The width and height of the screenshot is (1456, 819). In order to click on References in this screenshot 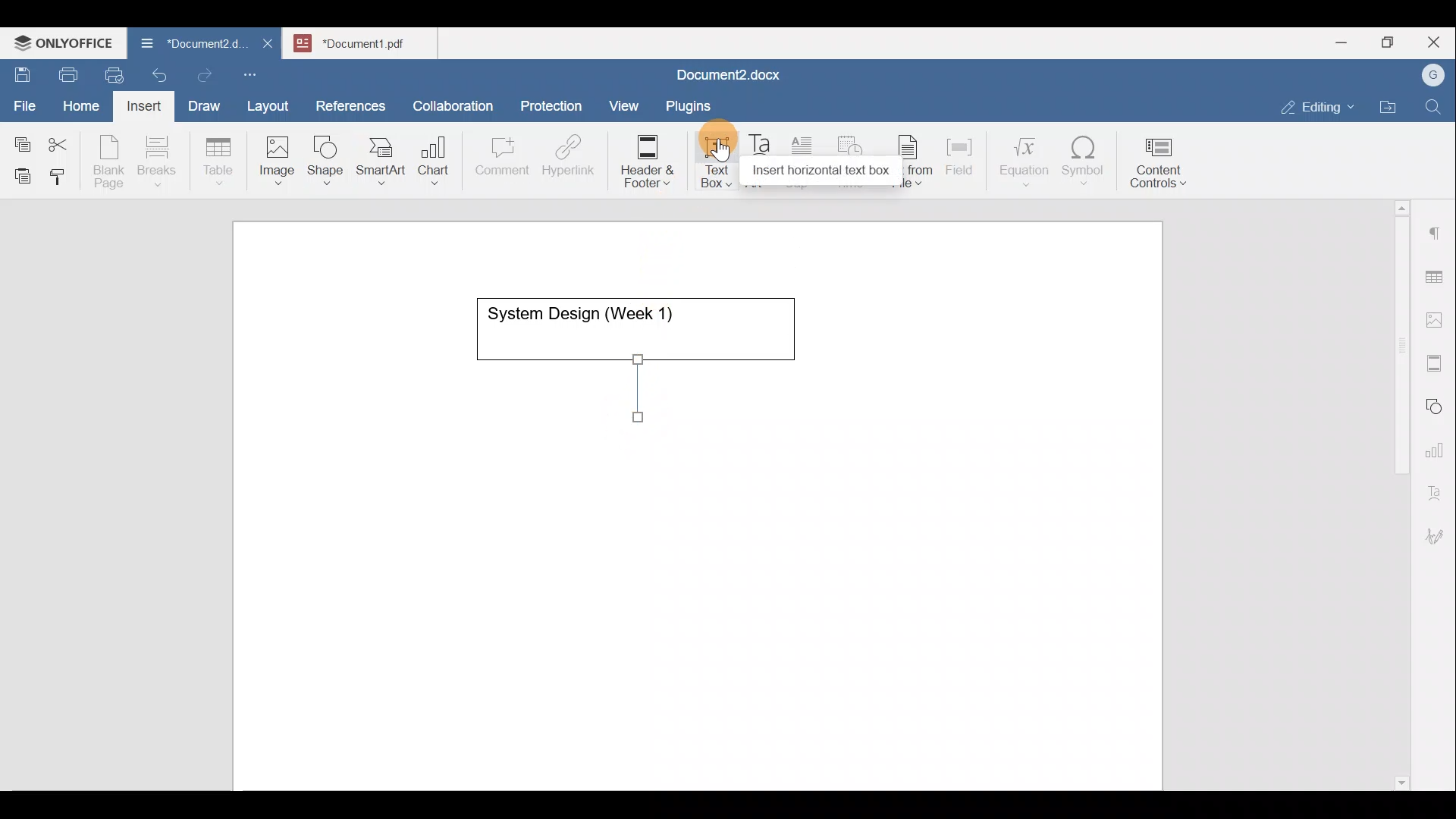, I will do `click(350, 104)`.